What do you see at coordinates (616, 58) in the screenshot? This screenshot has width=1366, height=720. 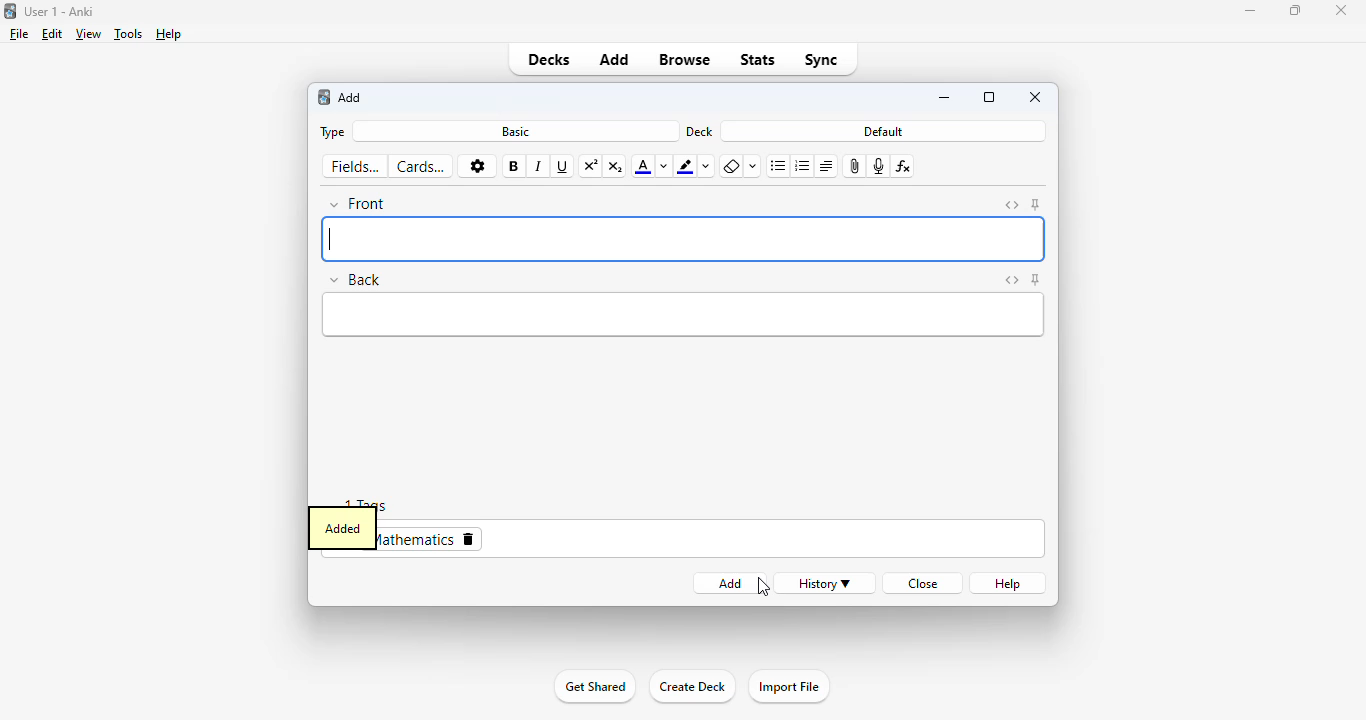 I see `add` at bounding box center [616, 58].